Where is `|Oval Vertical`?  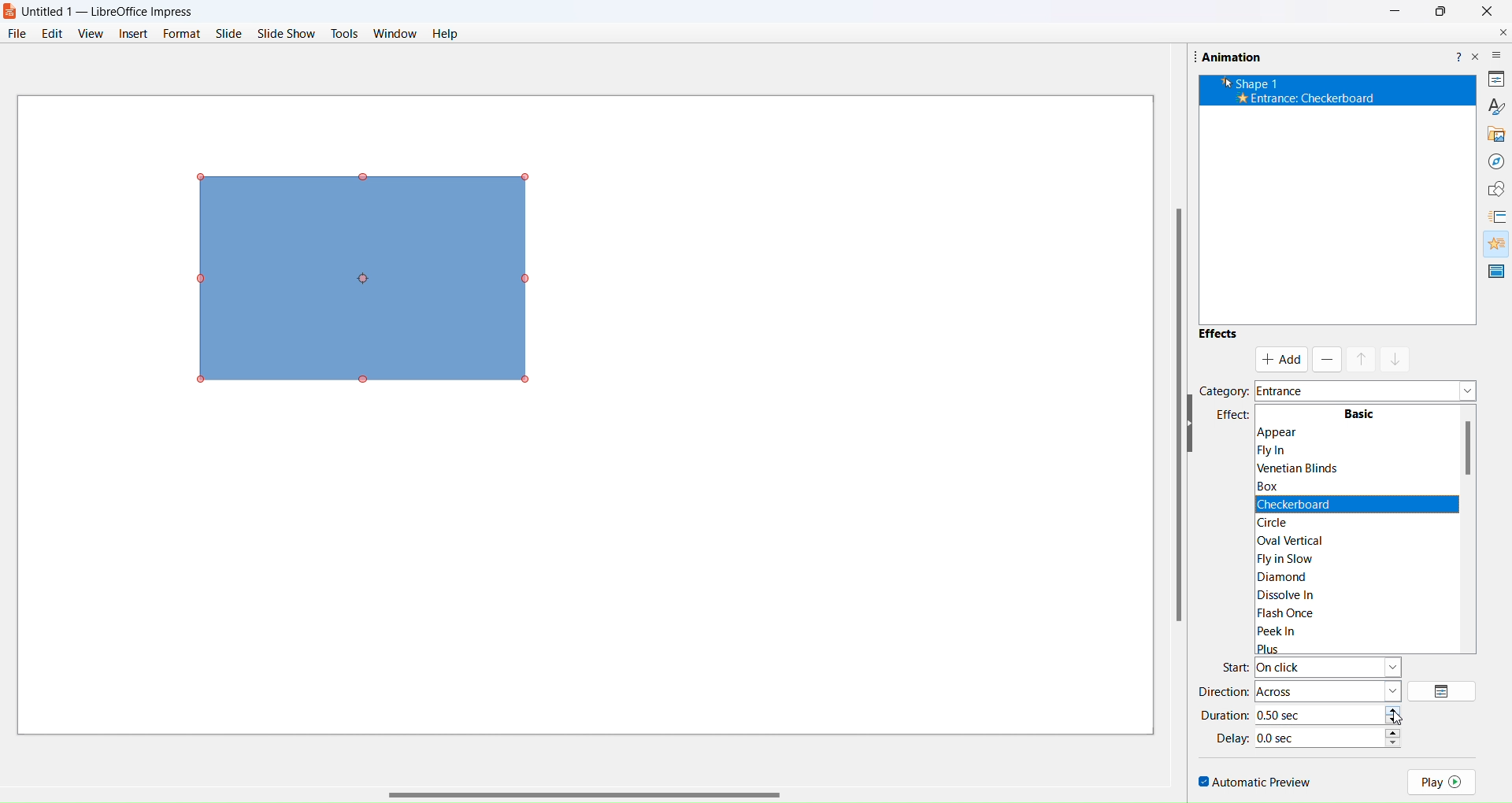 |Oval Vertical is located at coordinates (1300, 538).